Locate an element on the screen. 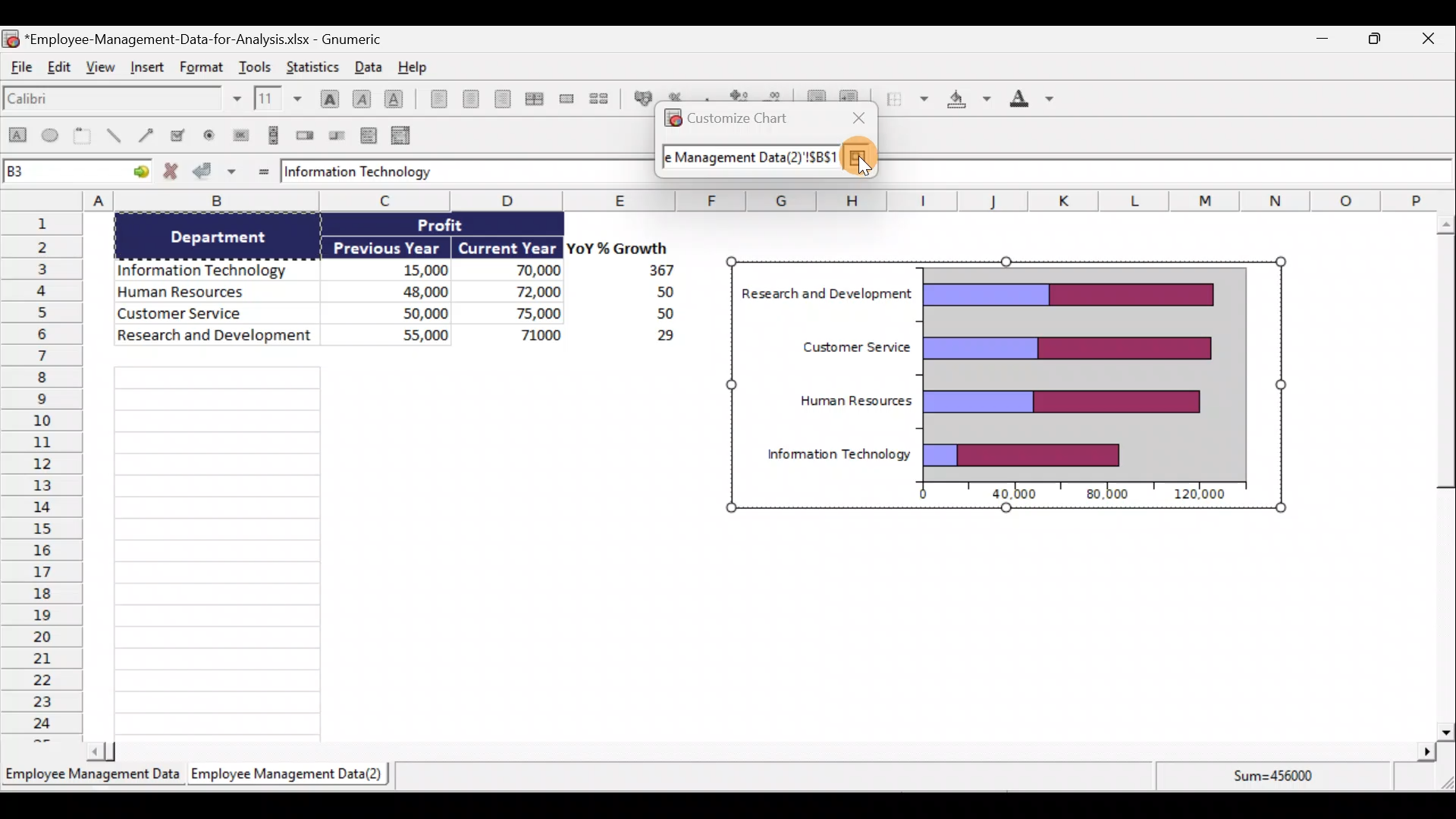  Edit is located at coordinates (60, 67).